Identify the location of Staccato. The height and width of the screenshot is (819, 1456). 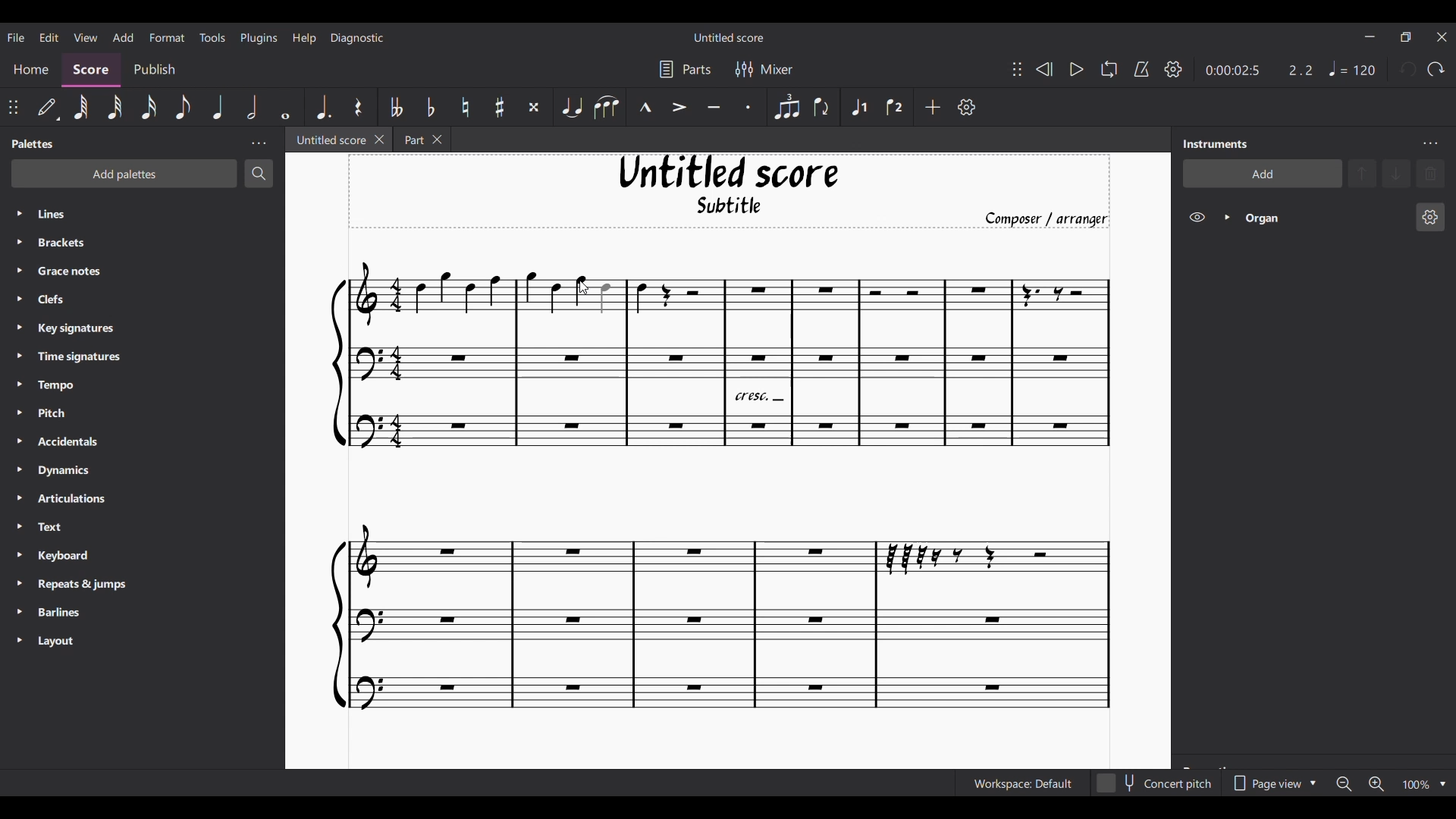
(748, 107).